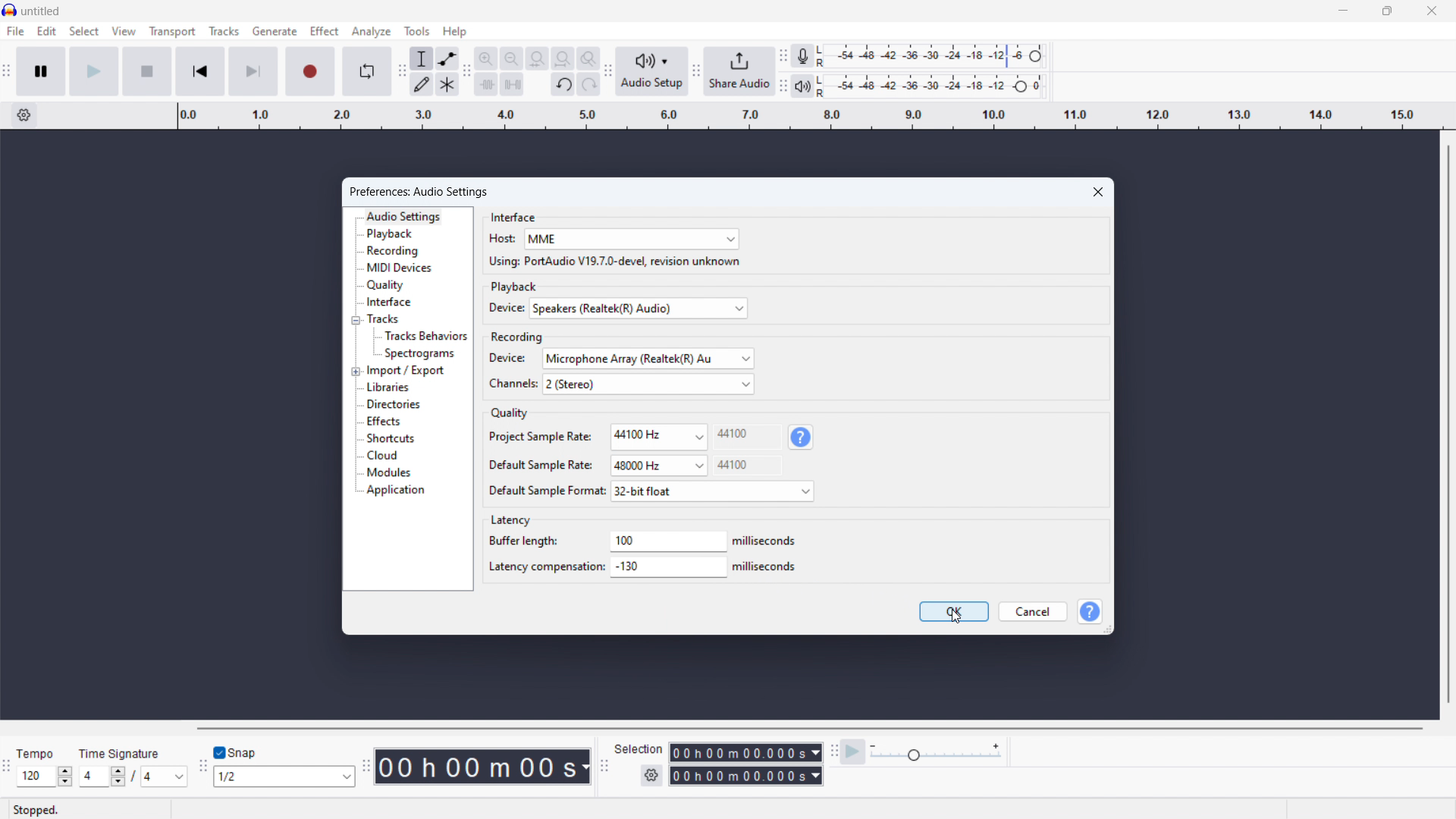 The width and height of the screenshot is (1456, 819). What do you see at coordinates (667, 541) in the screenshot?
I see `buffer length` at bounding box center [667, 541].